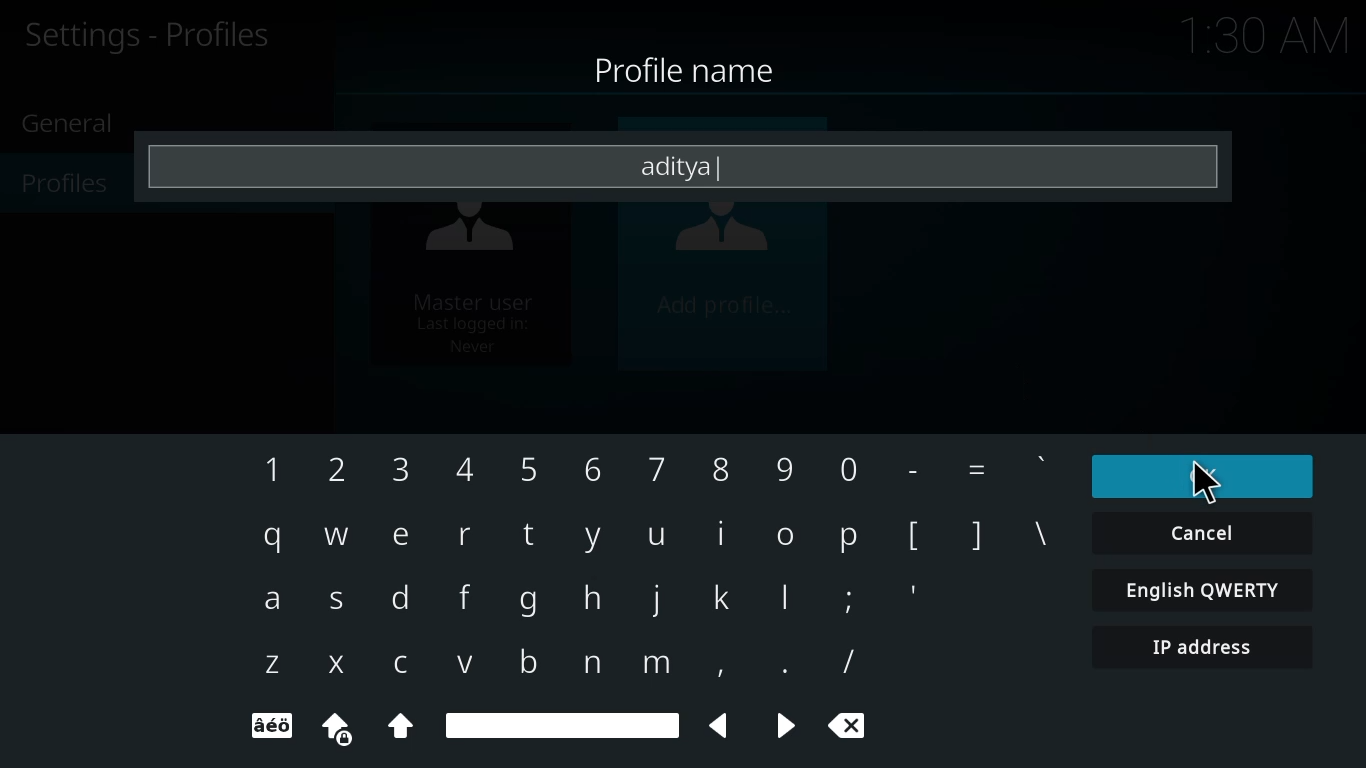 This screenshot has width=1366, height=768. What do you see at coordinates (913, 477) in the screenshot?
I see `-` at bounding box center [913, 477].